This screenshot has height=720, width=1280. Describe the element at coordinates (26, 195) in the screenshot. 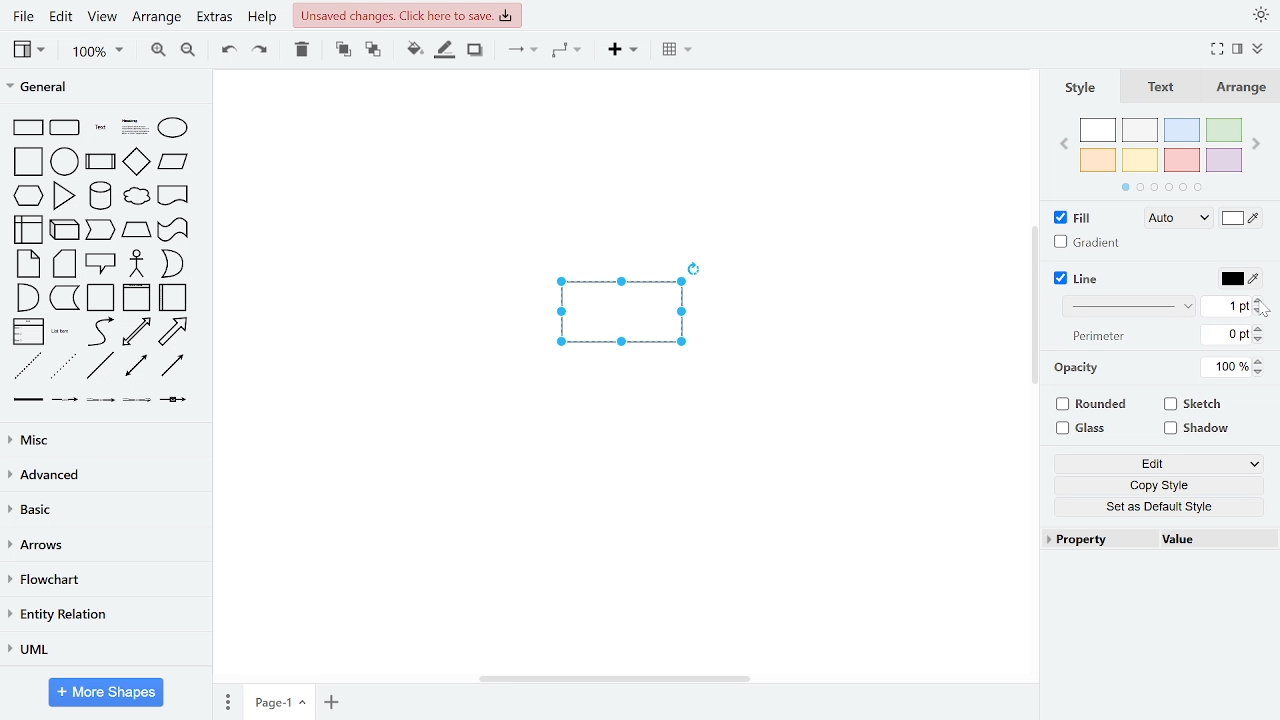

I see `general shapesgeneral shapes` at that location.